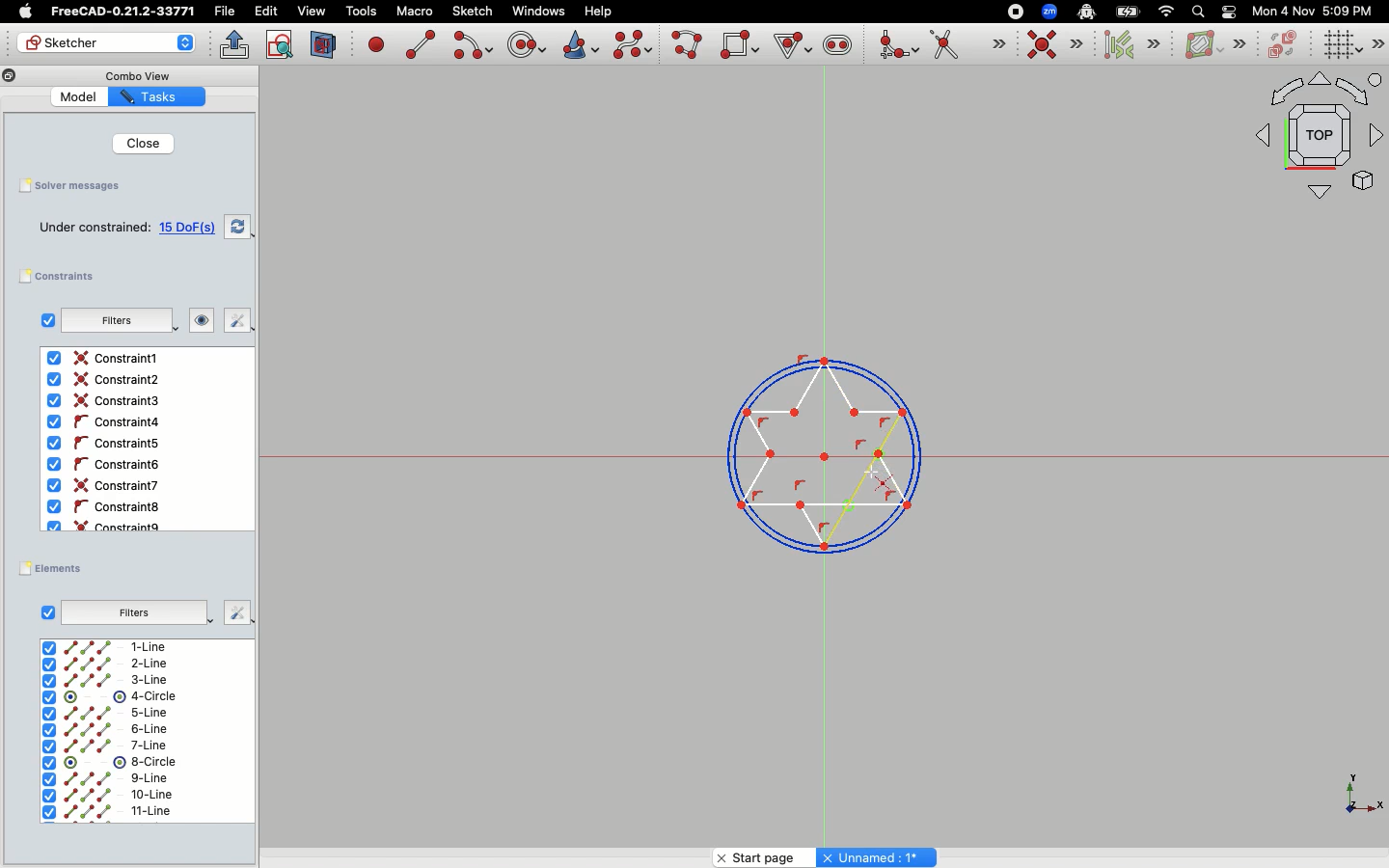 The width and height of the screenshot is (1389, 868). I want to click on Create line, so click(421, 44).